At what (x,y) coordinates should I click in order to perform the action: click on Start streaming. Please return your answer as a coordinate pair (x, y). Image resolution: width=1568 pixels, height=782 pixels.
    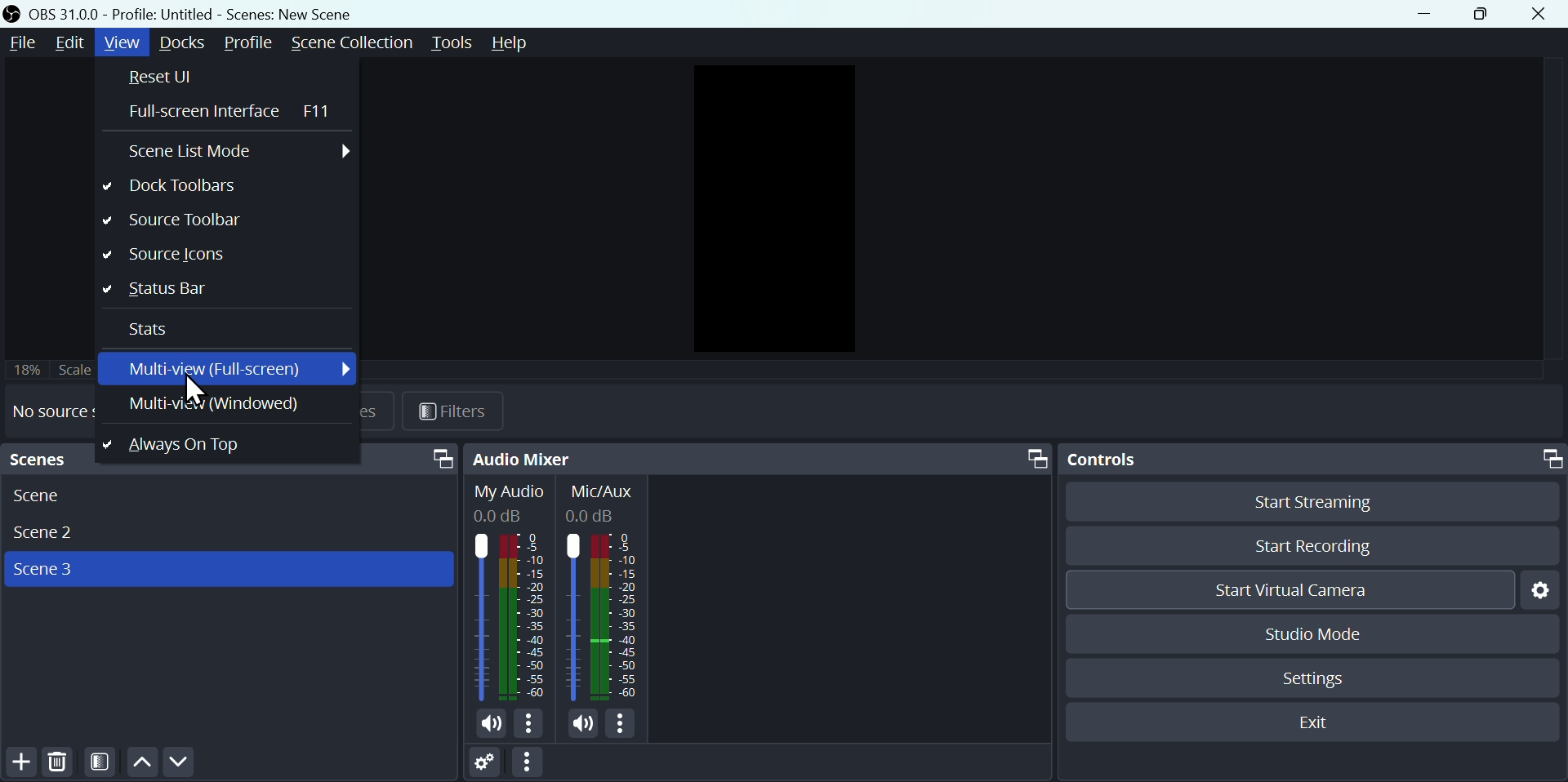
    Looking at the image, I should click on (1311, 504).